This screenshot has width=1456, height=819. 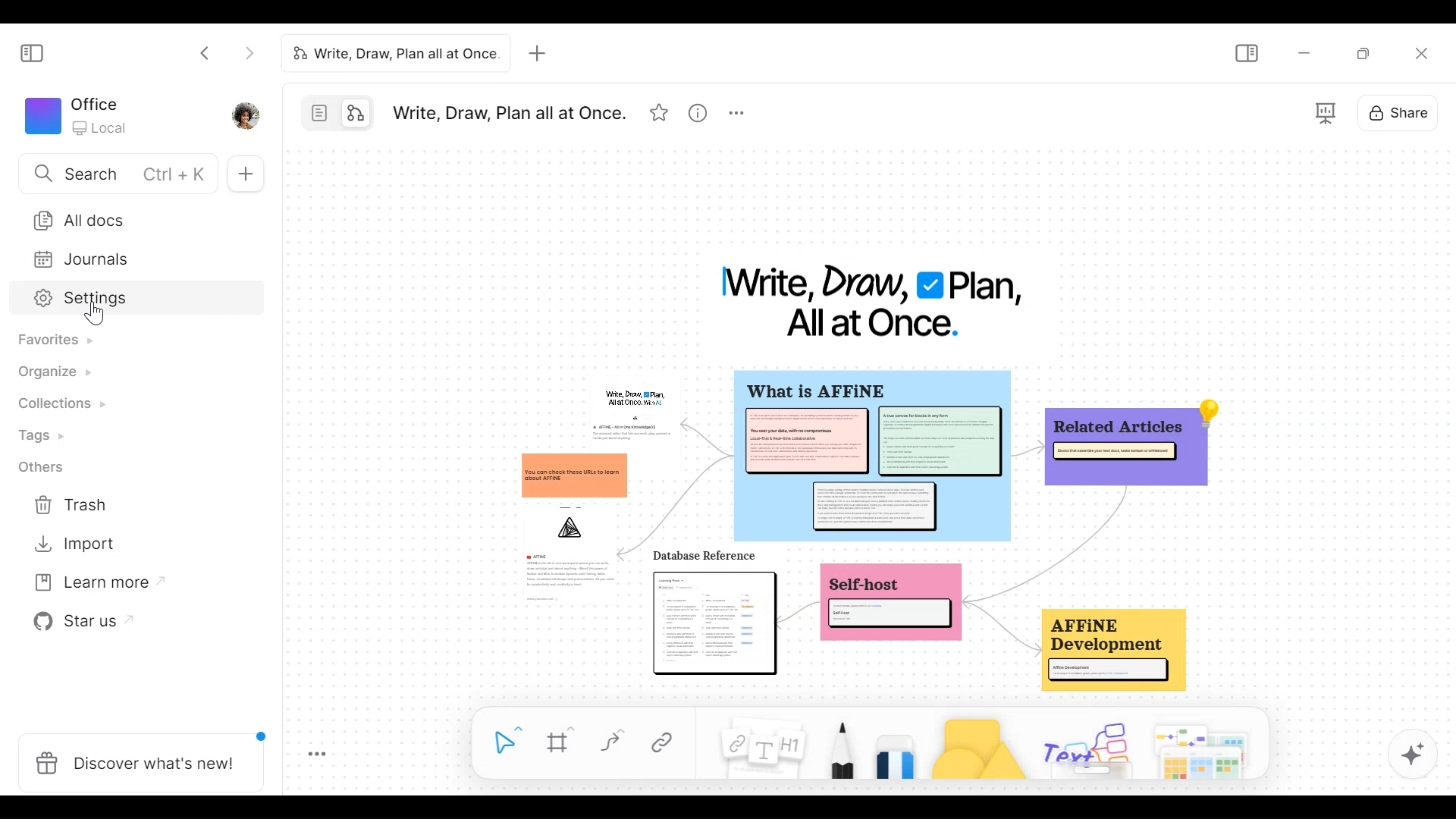 What do you see at coordinates (65, 404) in the screenshot?
I see `Colections` at bounding box center [65, 404].